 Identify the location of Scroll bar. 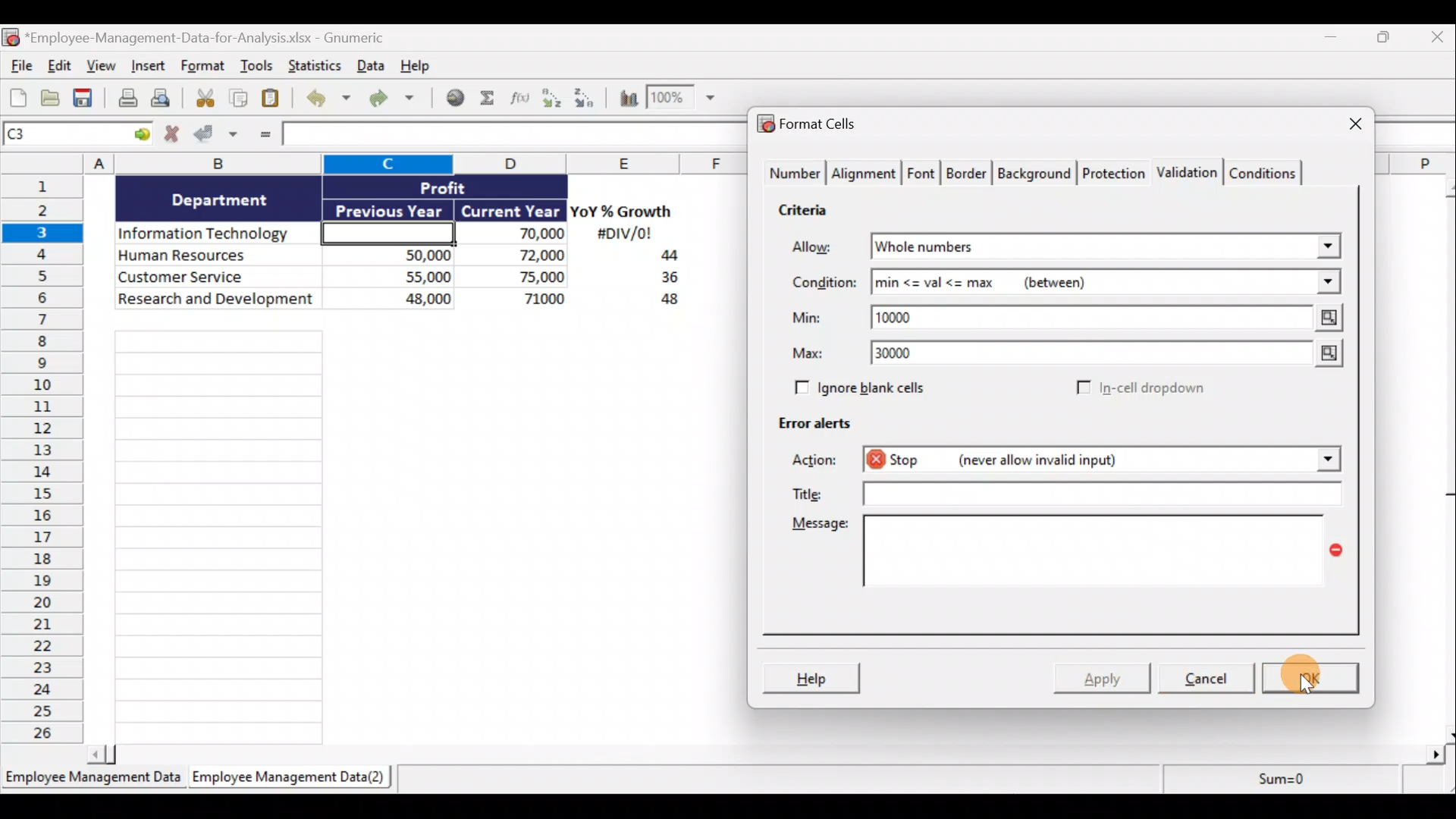
(771, 752).